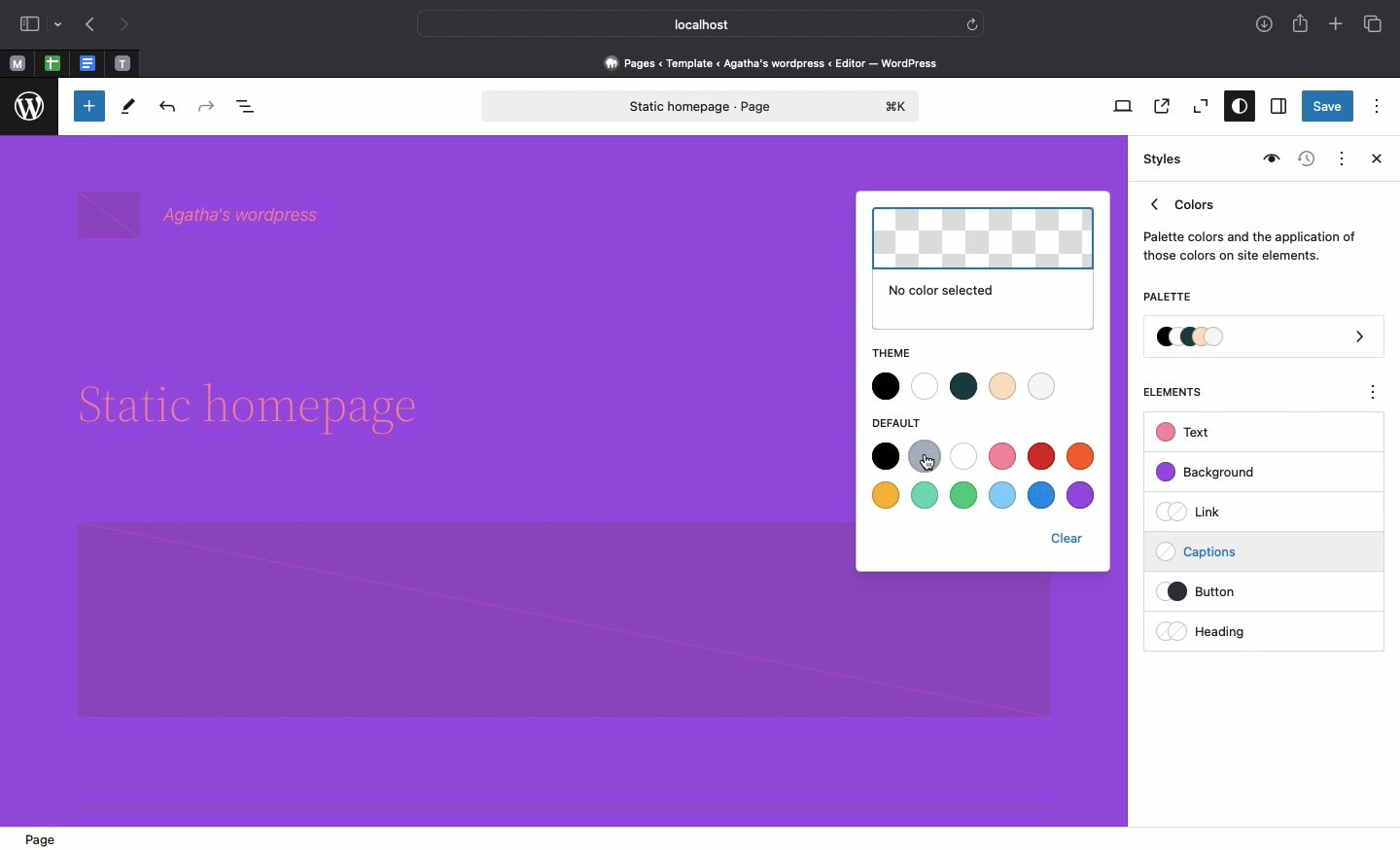 The height and width of the screenshot is (850, 1400). What do you see at coordinates (167, 108) in the screenshot?
I see `Undo` at bounding box center [167, 108].